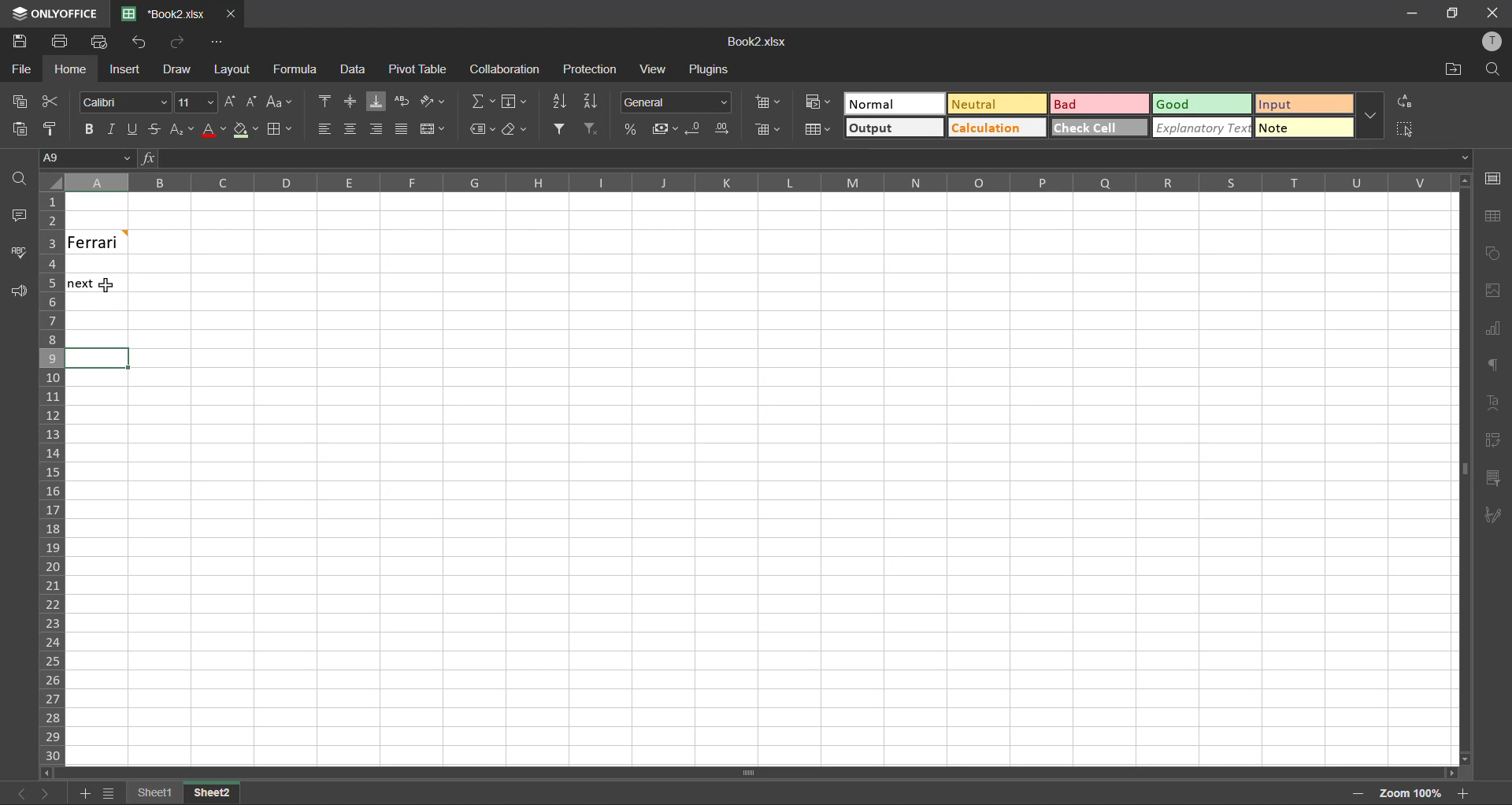  I want to click on summation, so click(483, 101).